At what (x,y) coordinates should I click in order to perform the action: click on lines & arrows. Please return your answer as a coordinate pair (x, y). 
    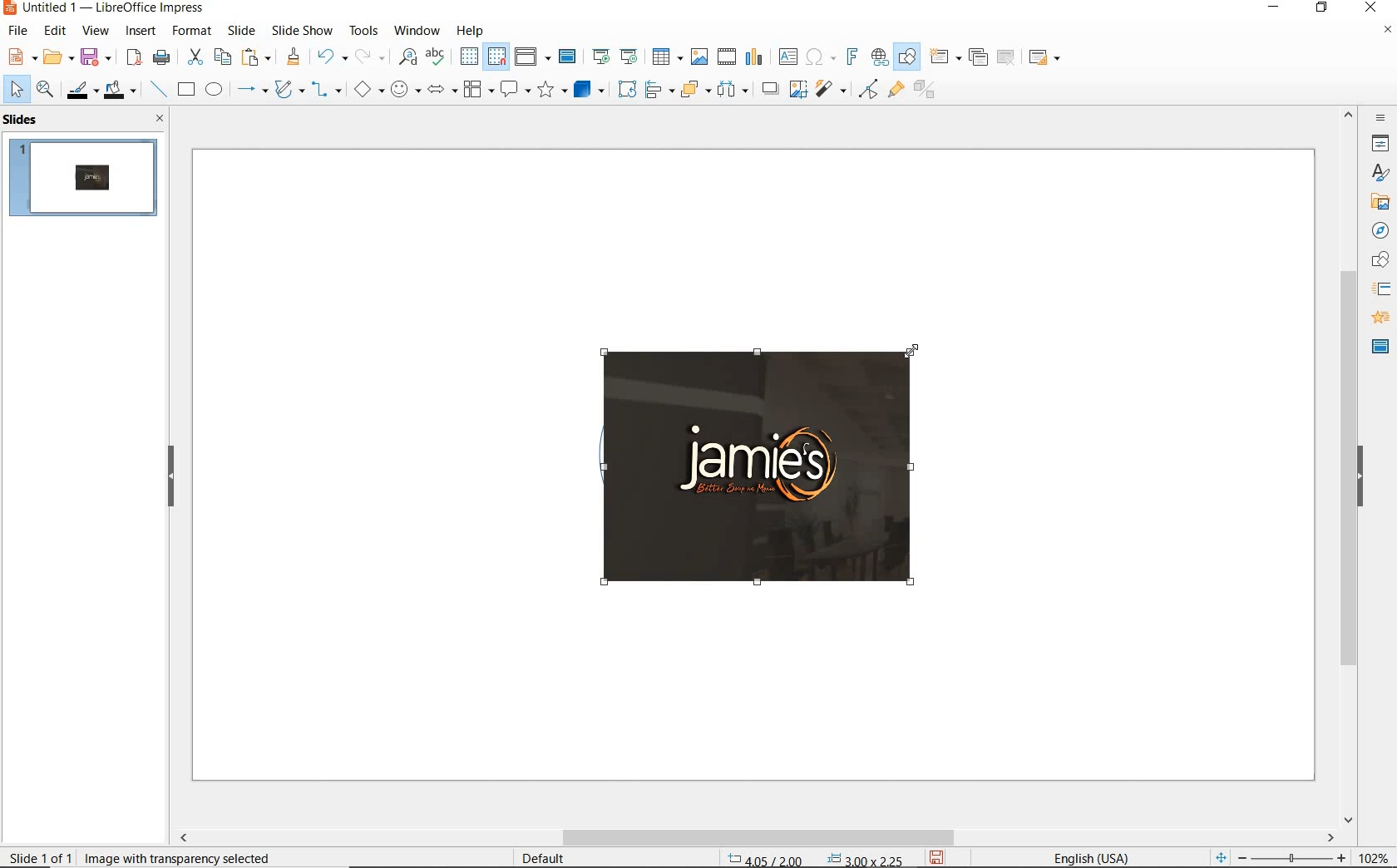
    Looking at the image, I should click on (251, 91).